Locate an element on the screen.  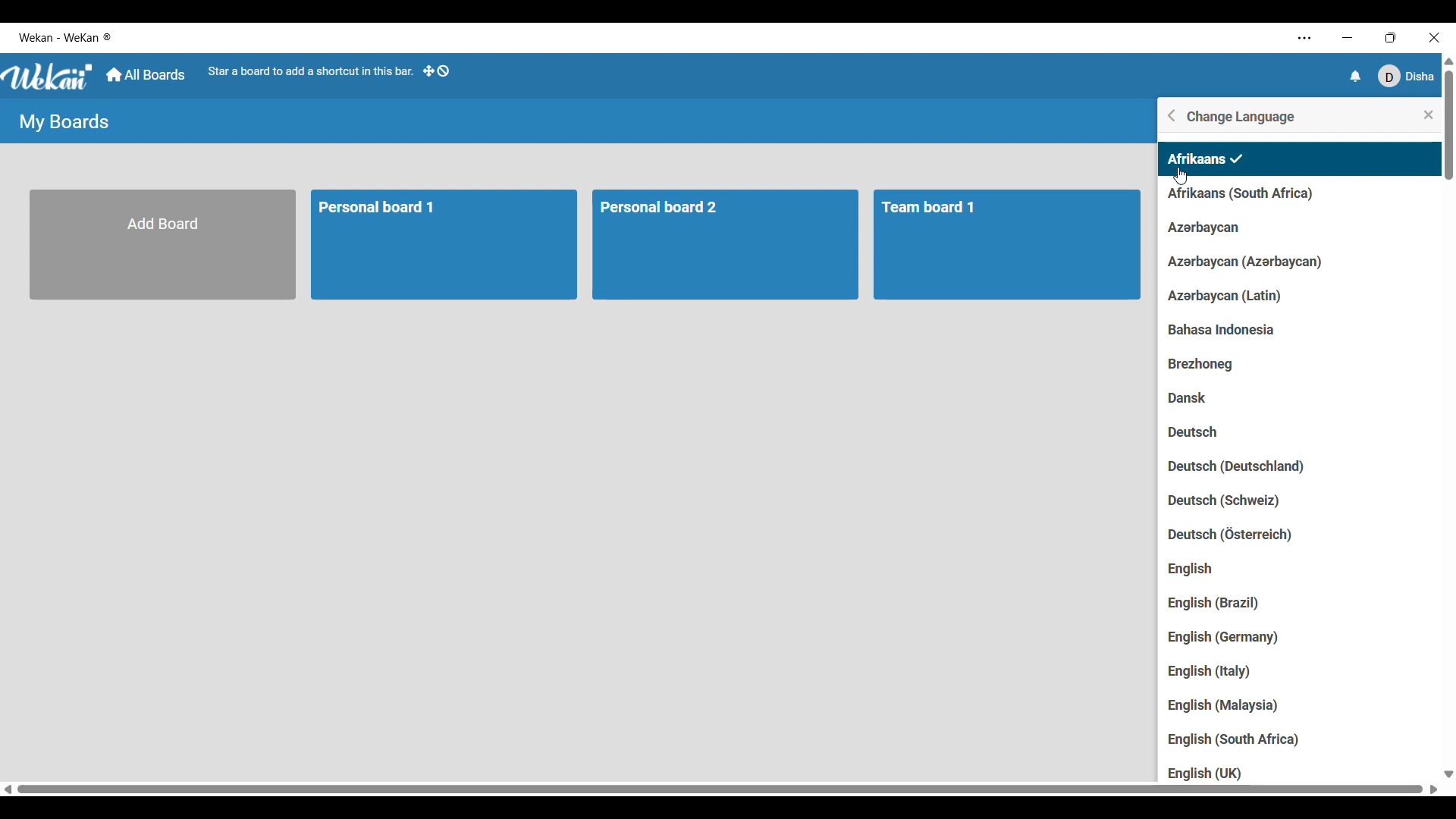
close is located at coordinates (1422, 115).